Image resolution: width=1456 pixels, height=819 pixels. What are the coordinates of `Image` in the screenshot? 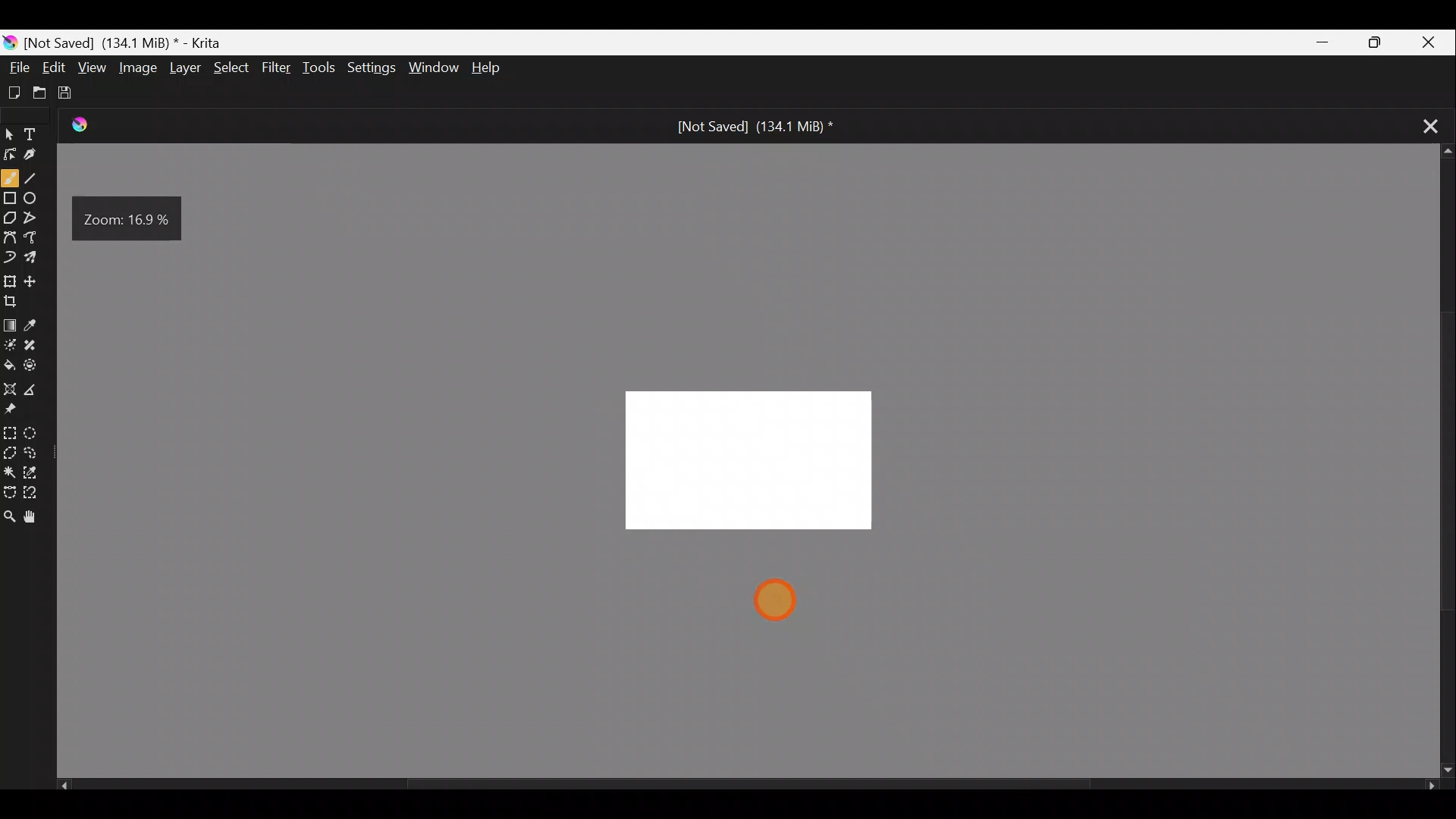 It's located at (136, 70).